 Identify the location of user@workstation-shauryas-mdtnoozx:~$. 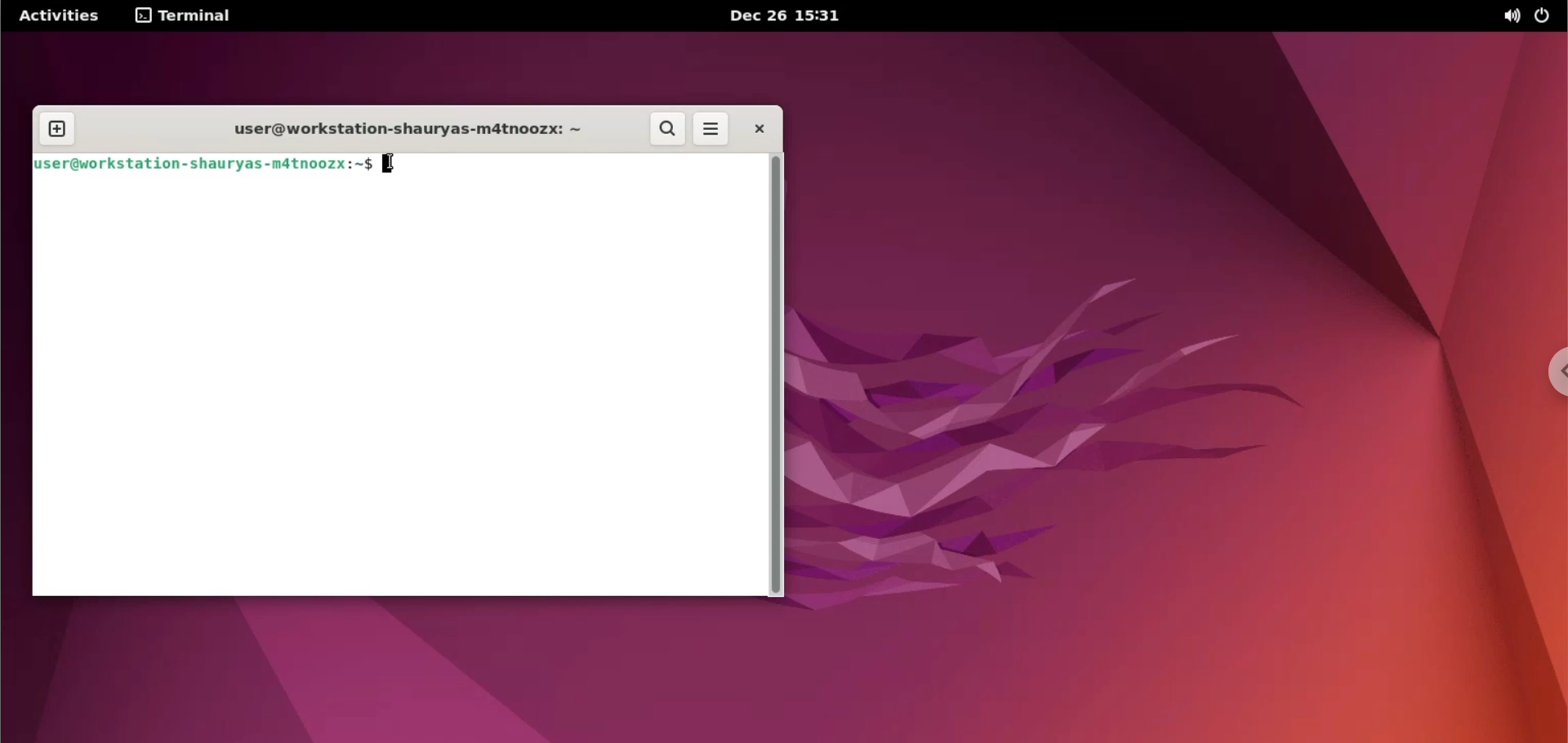
(204, 164).